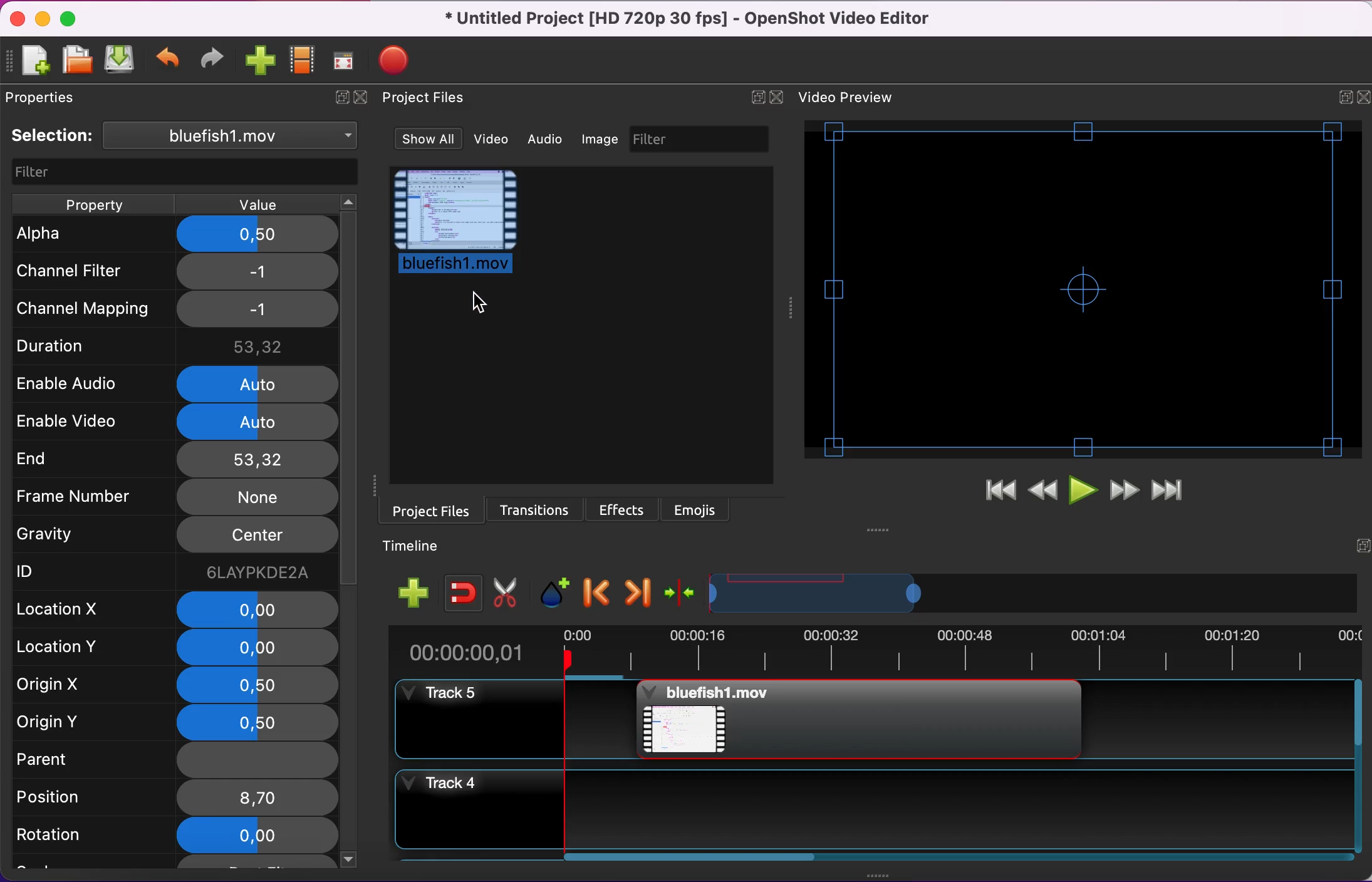 The image size is (1372, 882). I want to click on Bluefish project file, so click(858, 719).